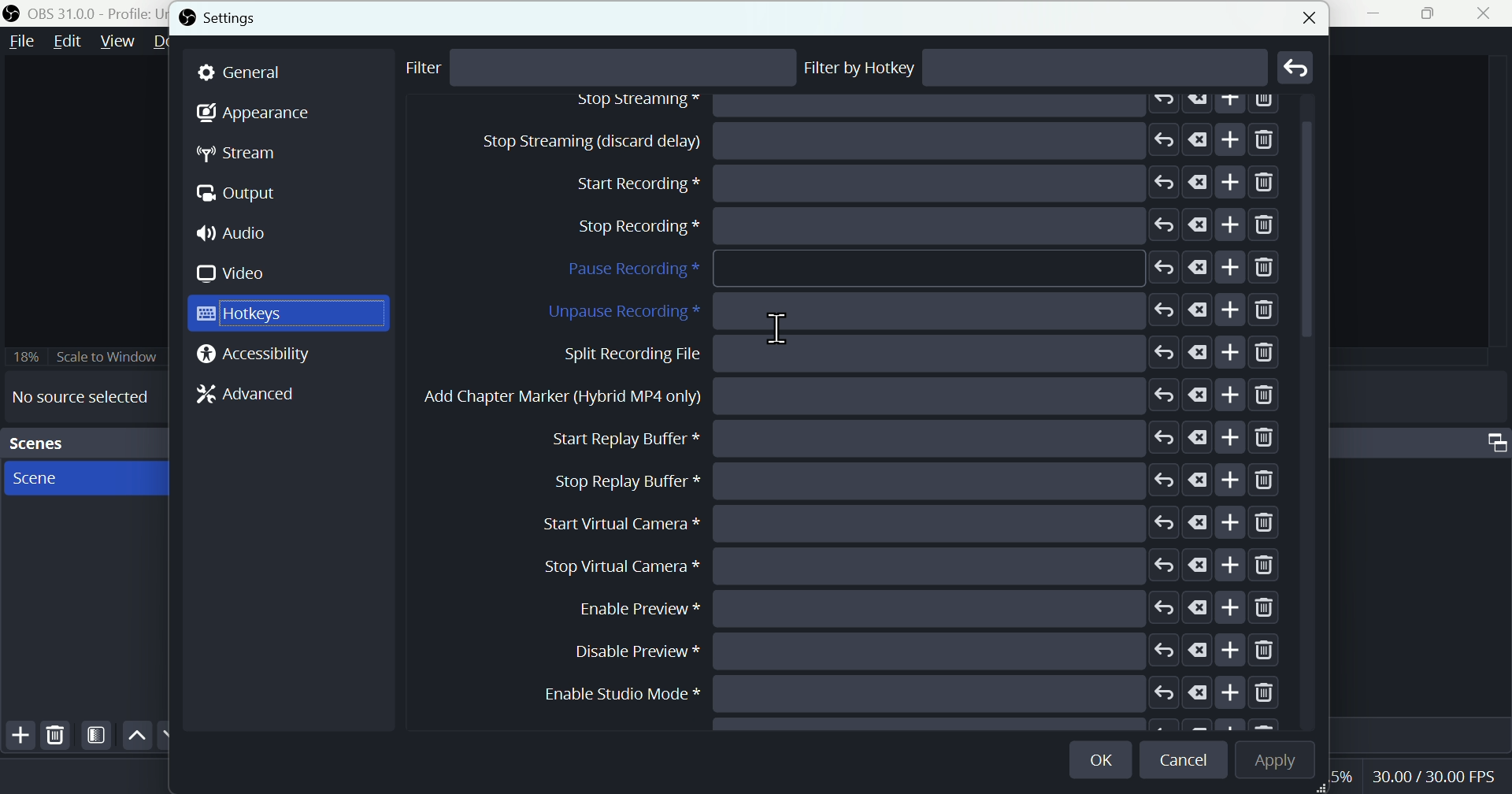 This screenshot has width=1512, height=794. Describe the element at coordinates (849, 395) in the screenshot. I see `Add chapter marker` at that location.